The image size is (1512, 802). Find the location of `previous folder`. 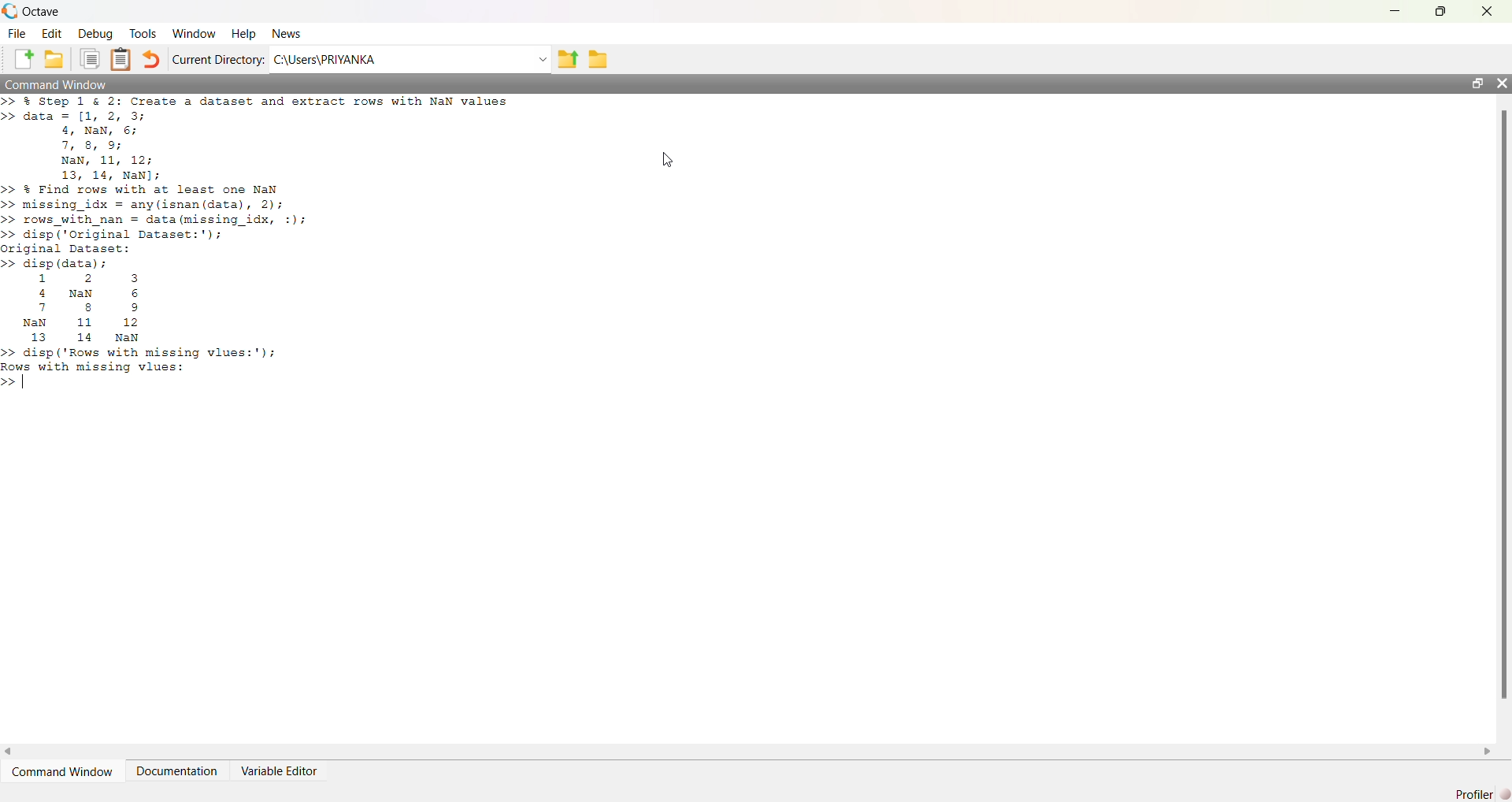

previous folder is located at coordinates (567, 61).